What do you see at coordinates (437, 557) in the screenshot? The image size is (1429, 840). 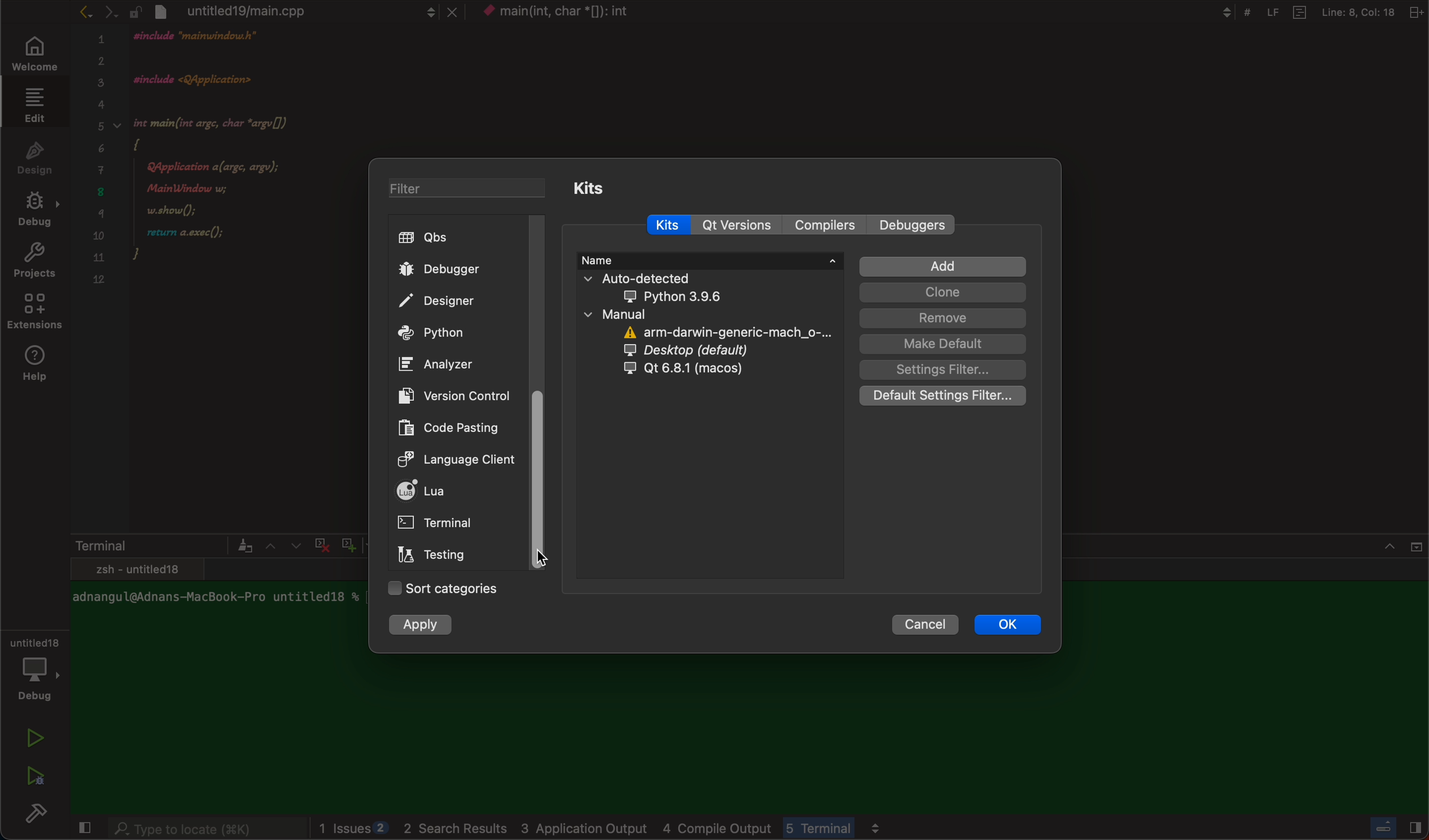 I see `testing` at bounding box center [437, 557].